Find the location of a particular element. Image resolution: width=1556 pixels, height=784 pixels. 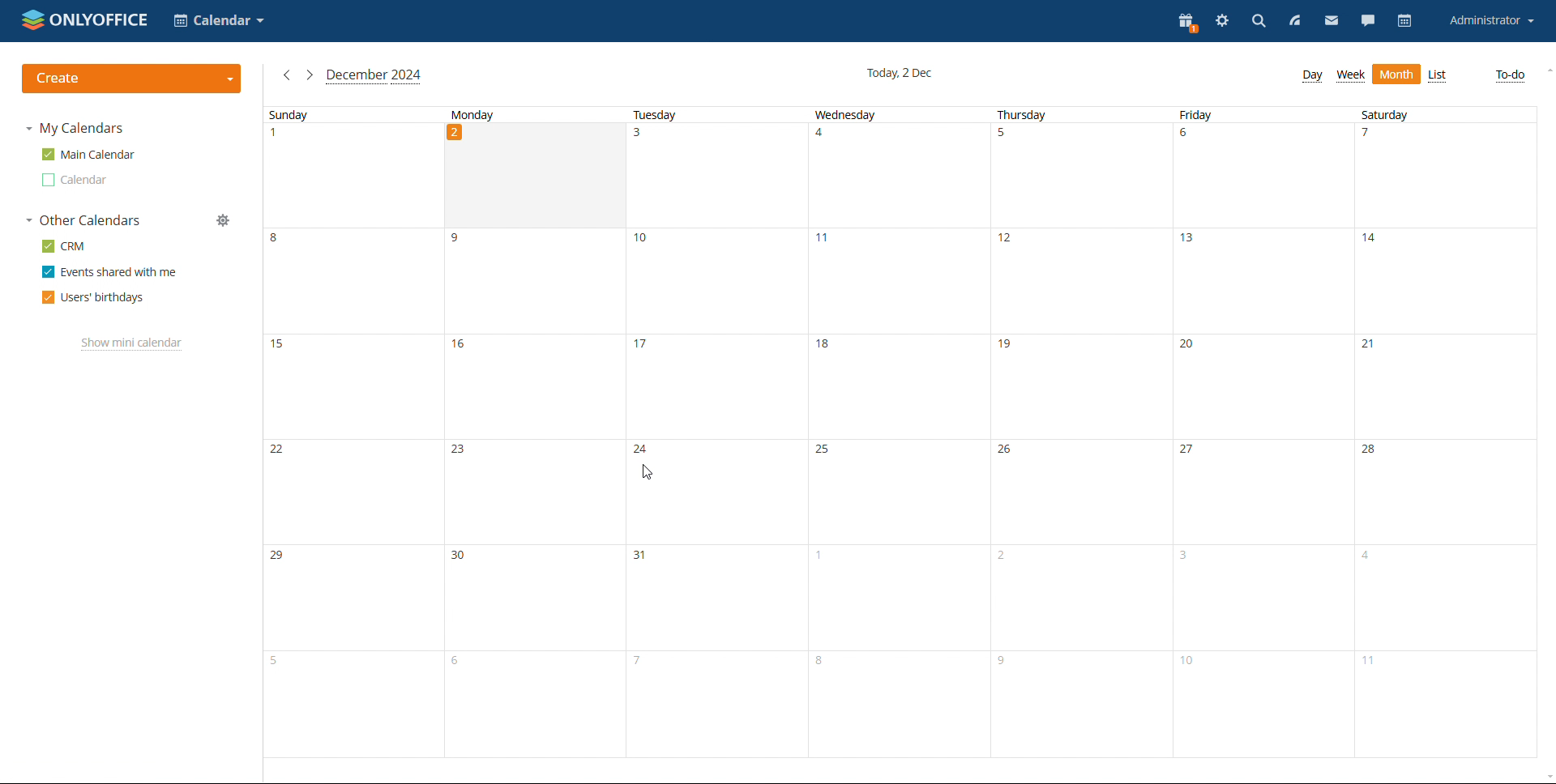

Sunday is located at coordinates (288, 115).